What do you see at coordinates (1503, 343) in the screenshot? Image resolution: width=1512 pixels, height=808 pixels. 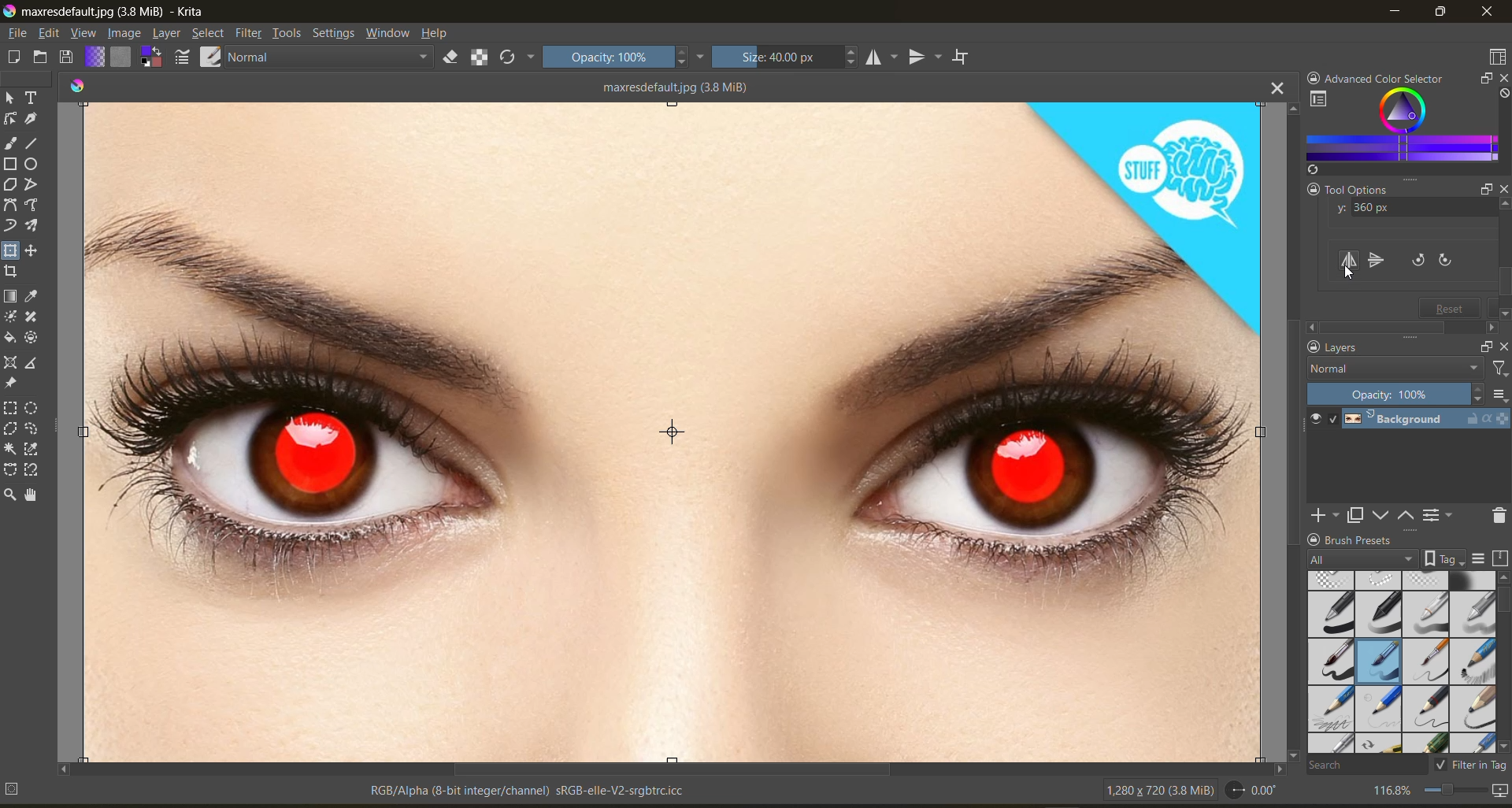 I see `close` at bounding box center [1503, 343].